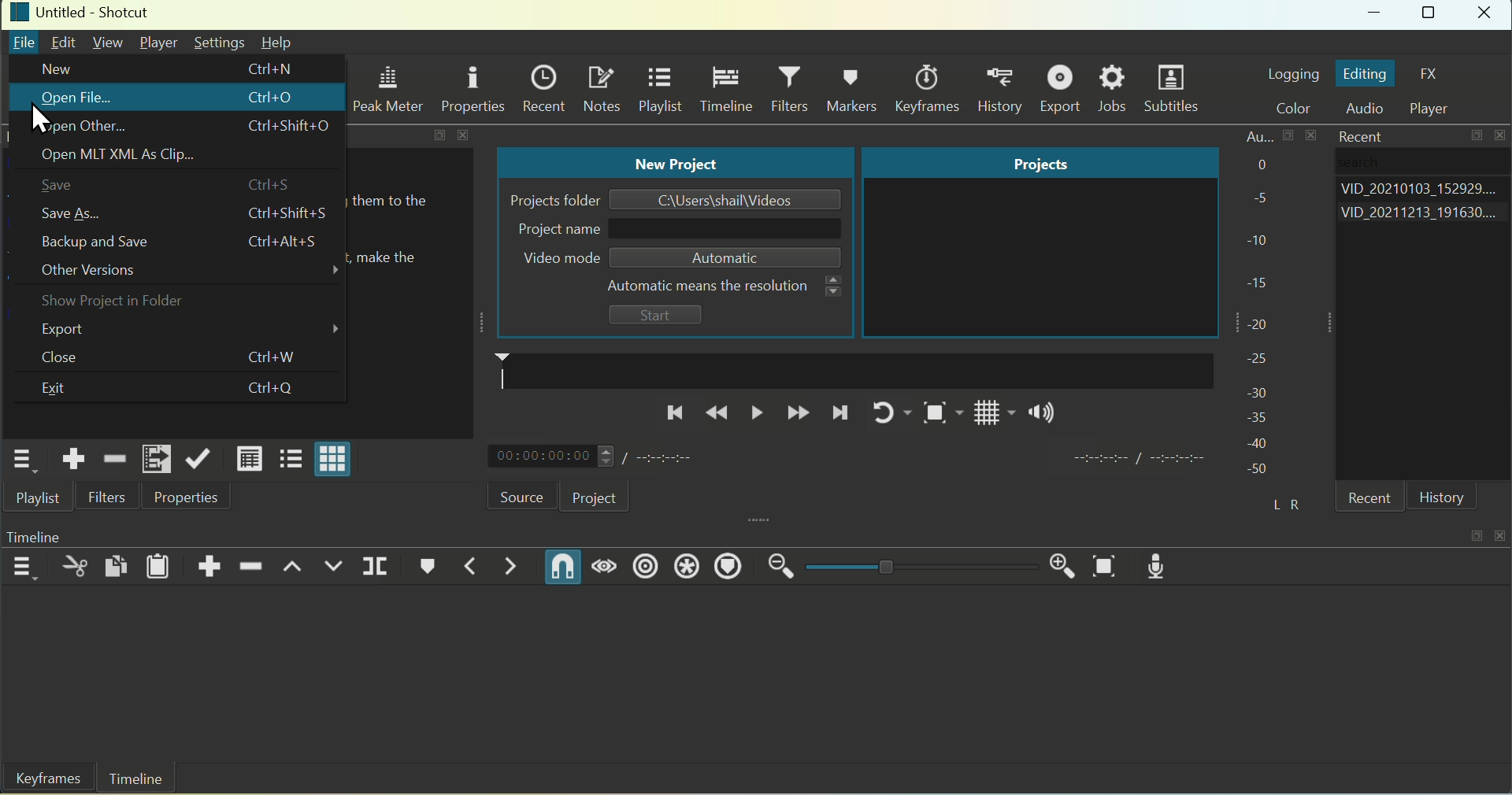  What do you see at coordinates (1370, 109) in the screenshot?
I see `Audio` at bounding box center [1370, 109].